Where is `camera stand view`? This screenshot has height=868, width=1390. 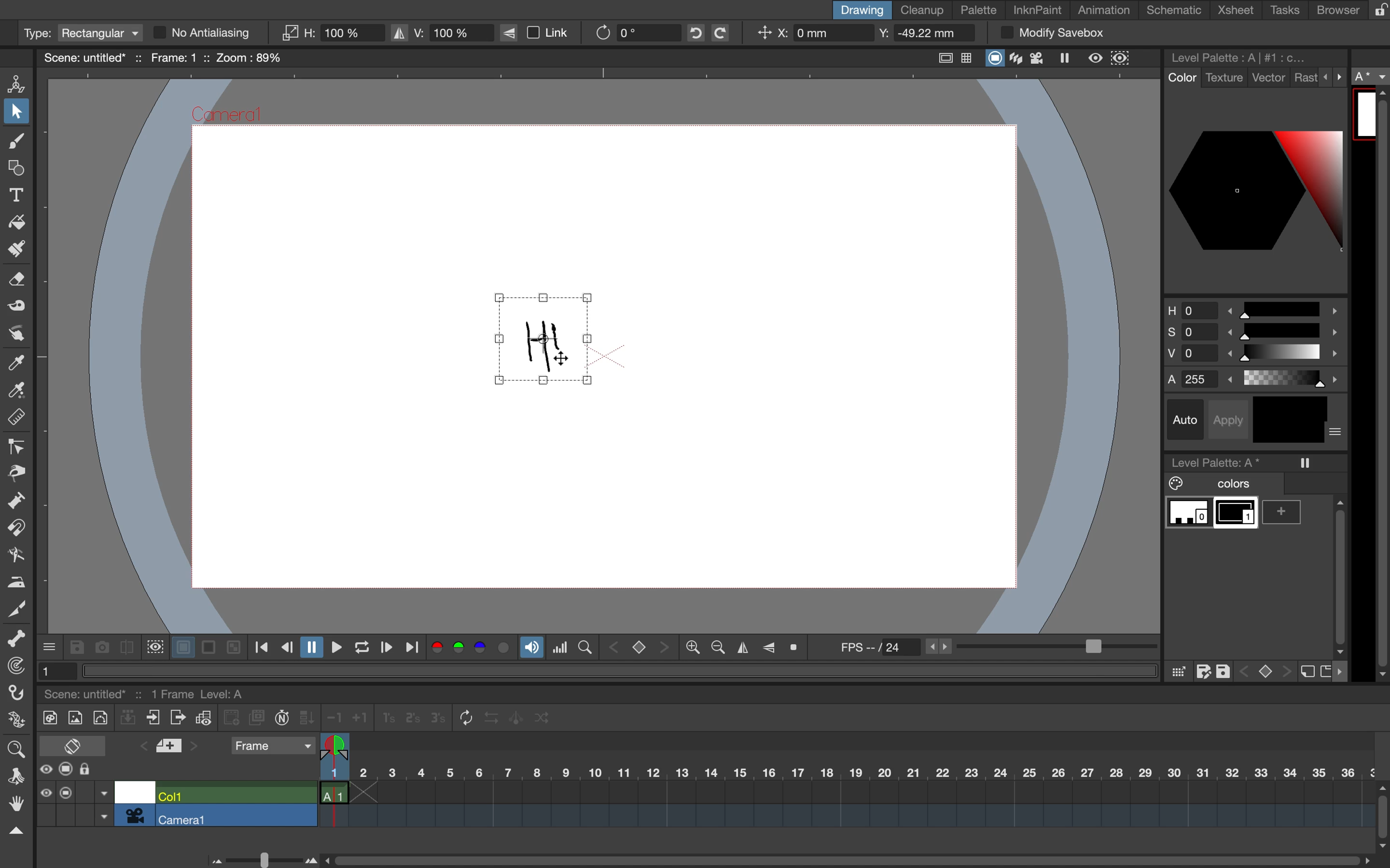
camera stand view is located at coordinates (993, 59).